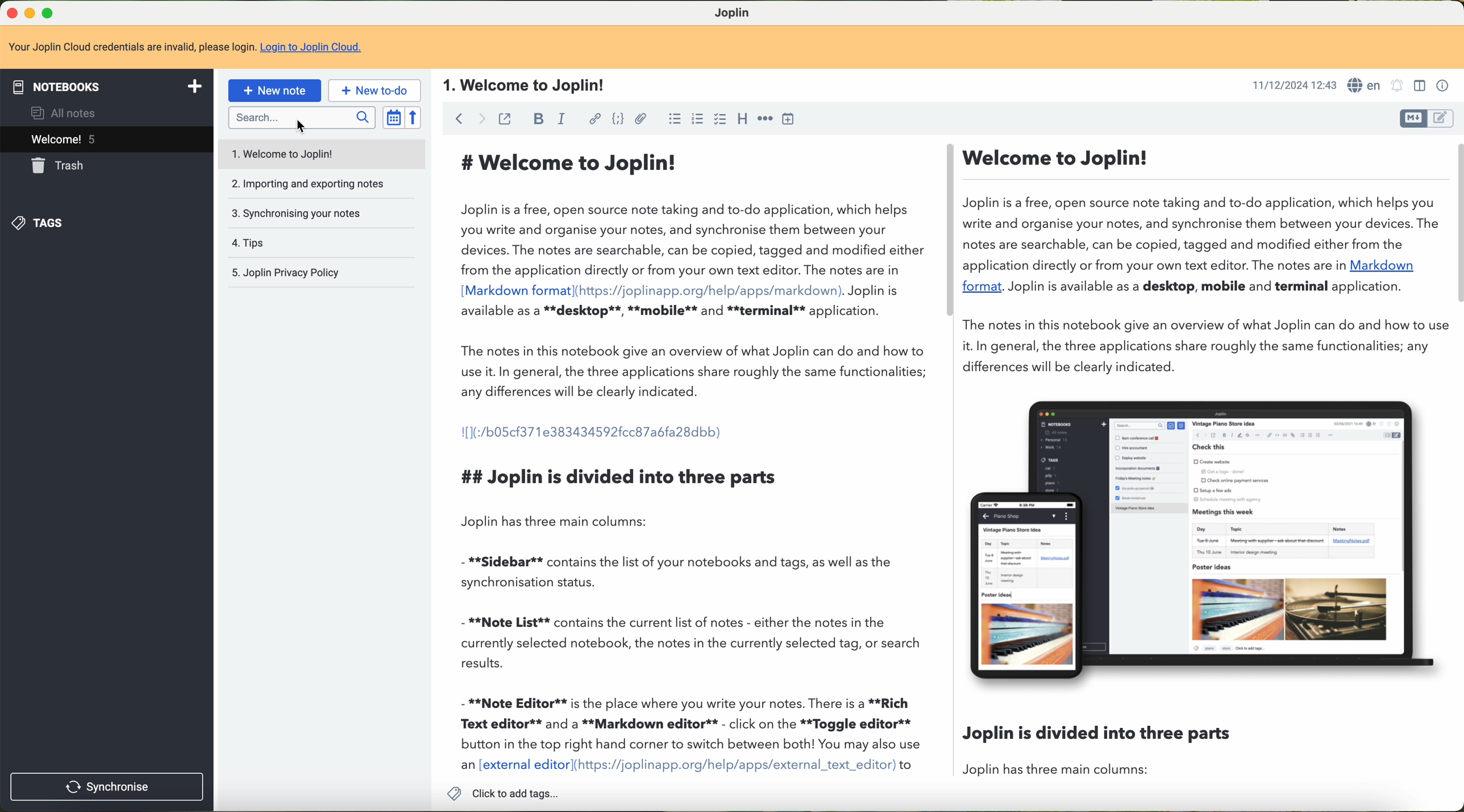 This screenshot has width=1464, height=812. Describe the element at coordinates (50, 13) in the screenshot. I see `maximize Joplin` at that location.